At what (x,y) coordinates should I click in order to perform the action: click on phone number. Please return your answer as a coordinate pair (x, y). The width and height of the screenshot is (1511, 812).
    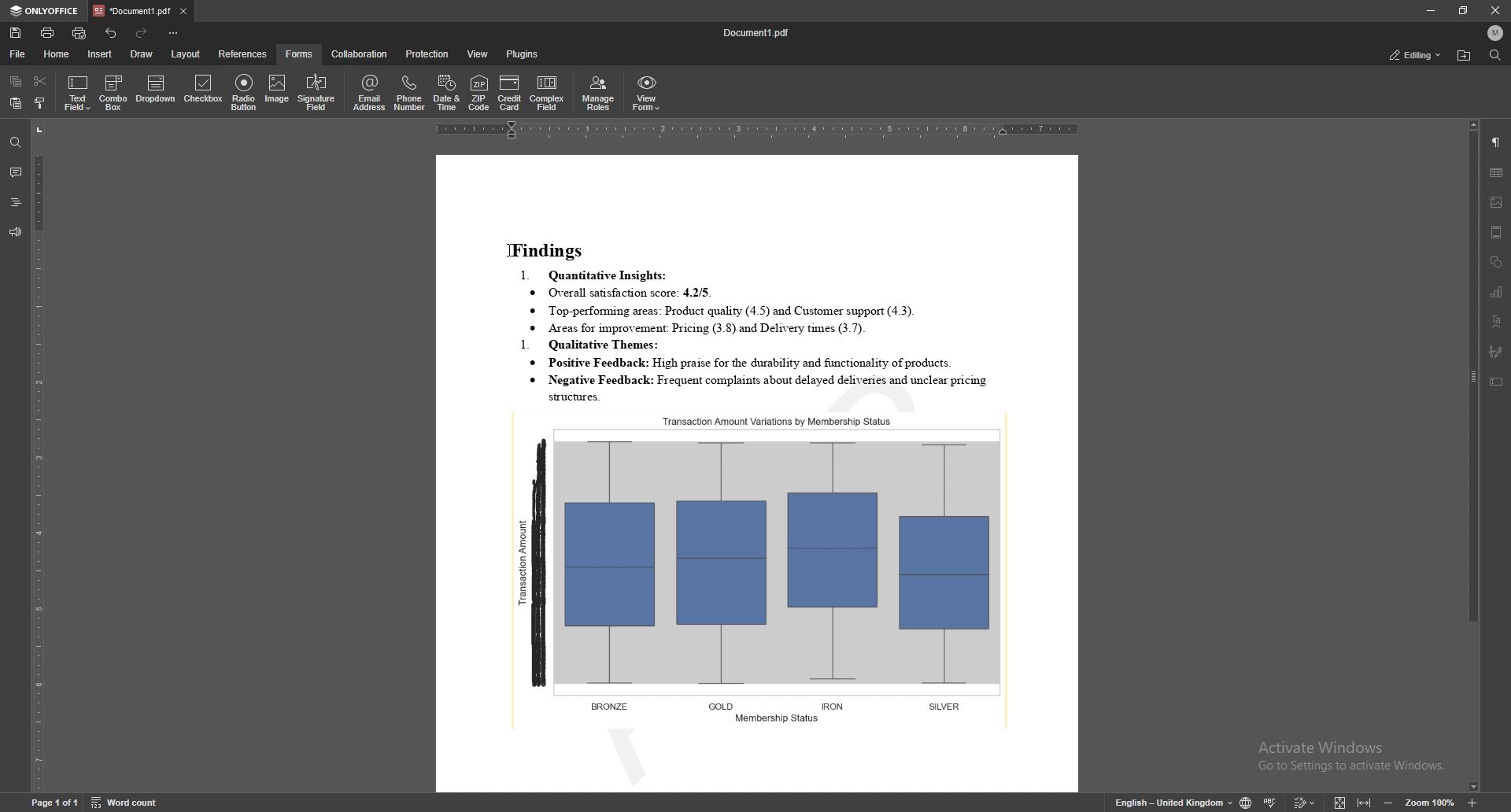
    Looking at the image, I should click on (410, 93).